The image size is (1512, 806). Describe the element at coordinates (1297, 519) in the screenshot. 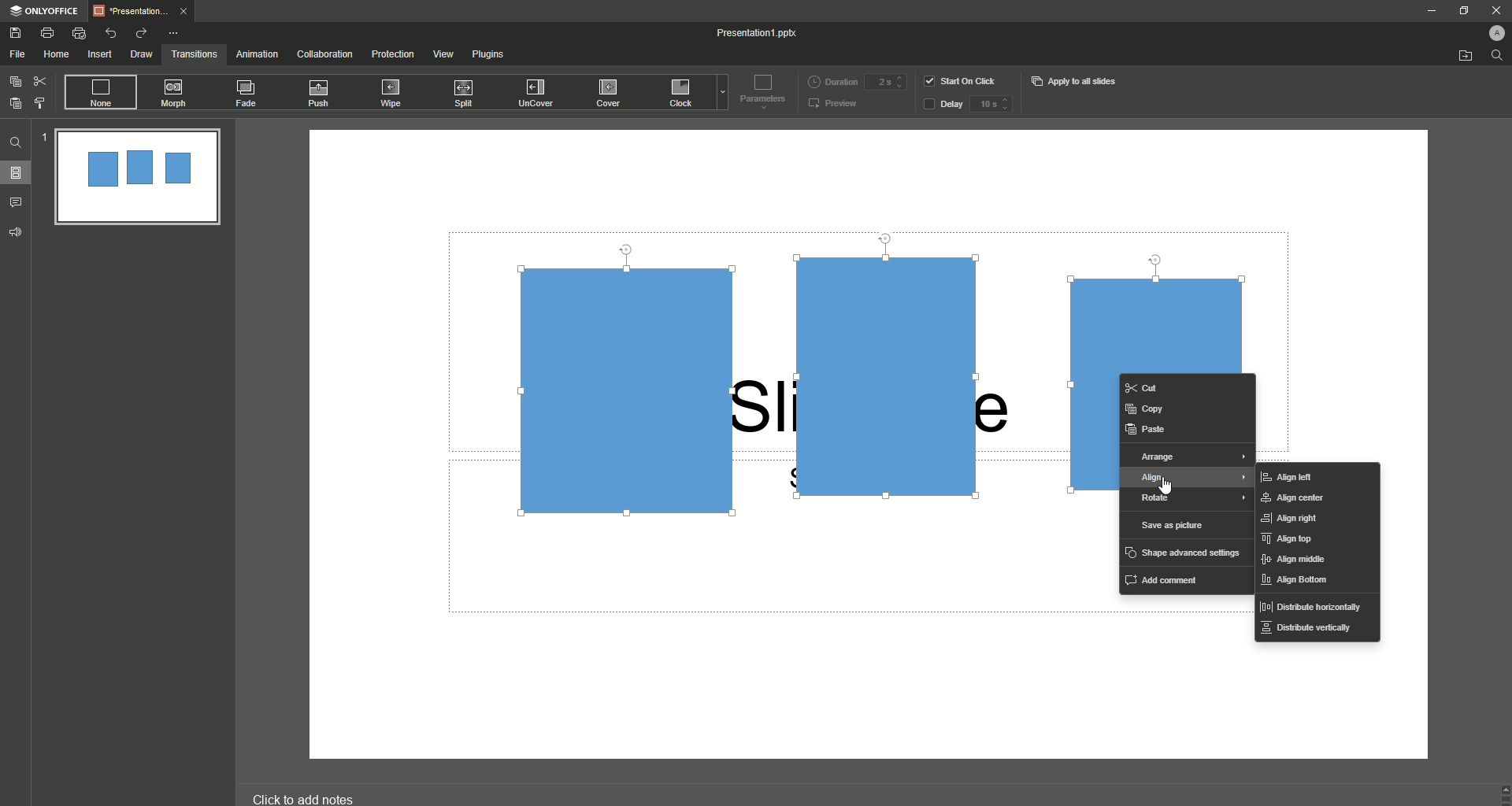

I see `Align right` at that location.